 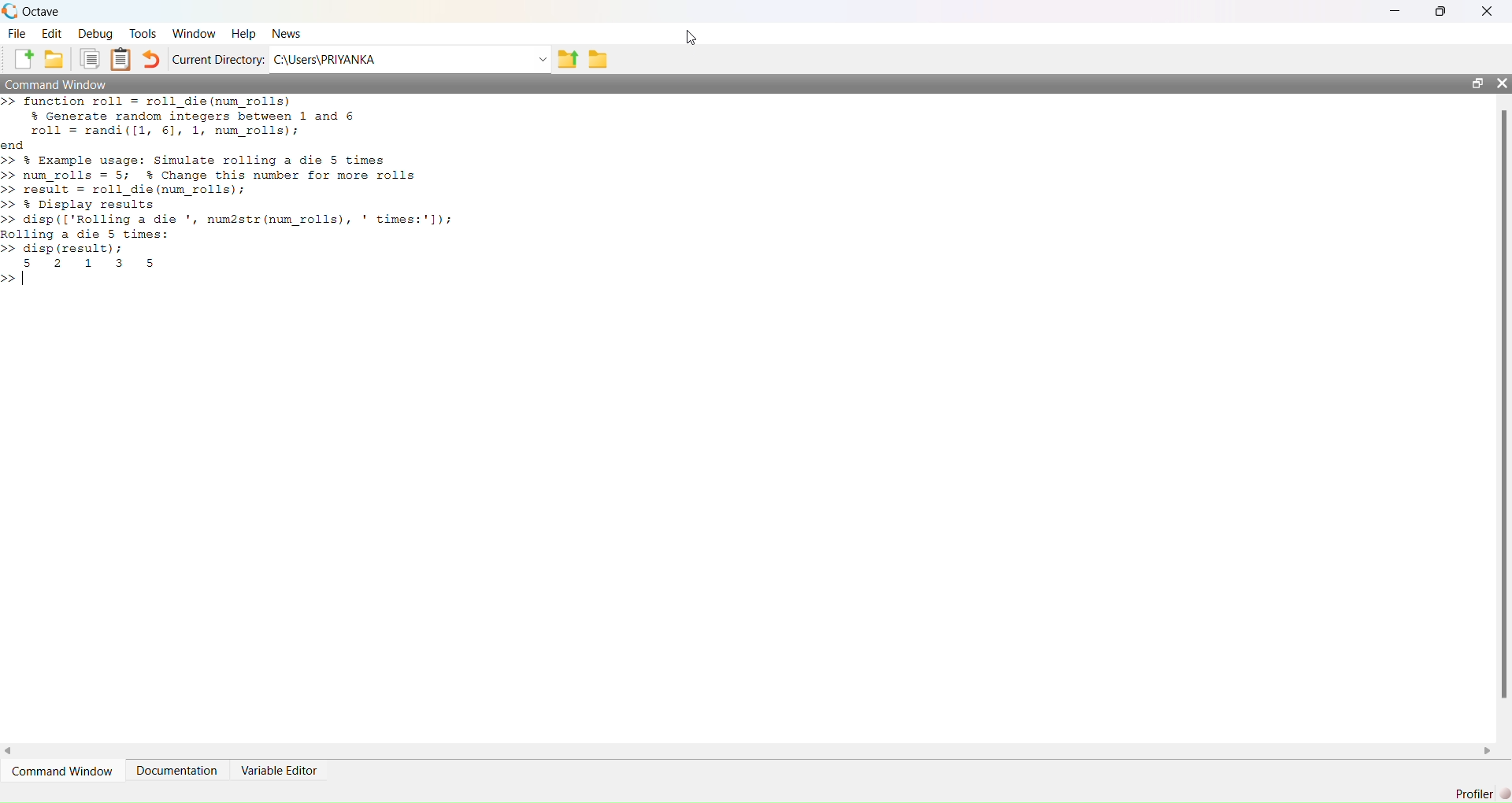 I want to click on close, so click(x=1502, y=83).